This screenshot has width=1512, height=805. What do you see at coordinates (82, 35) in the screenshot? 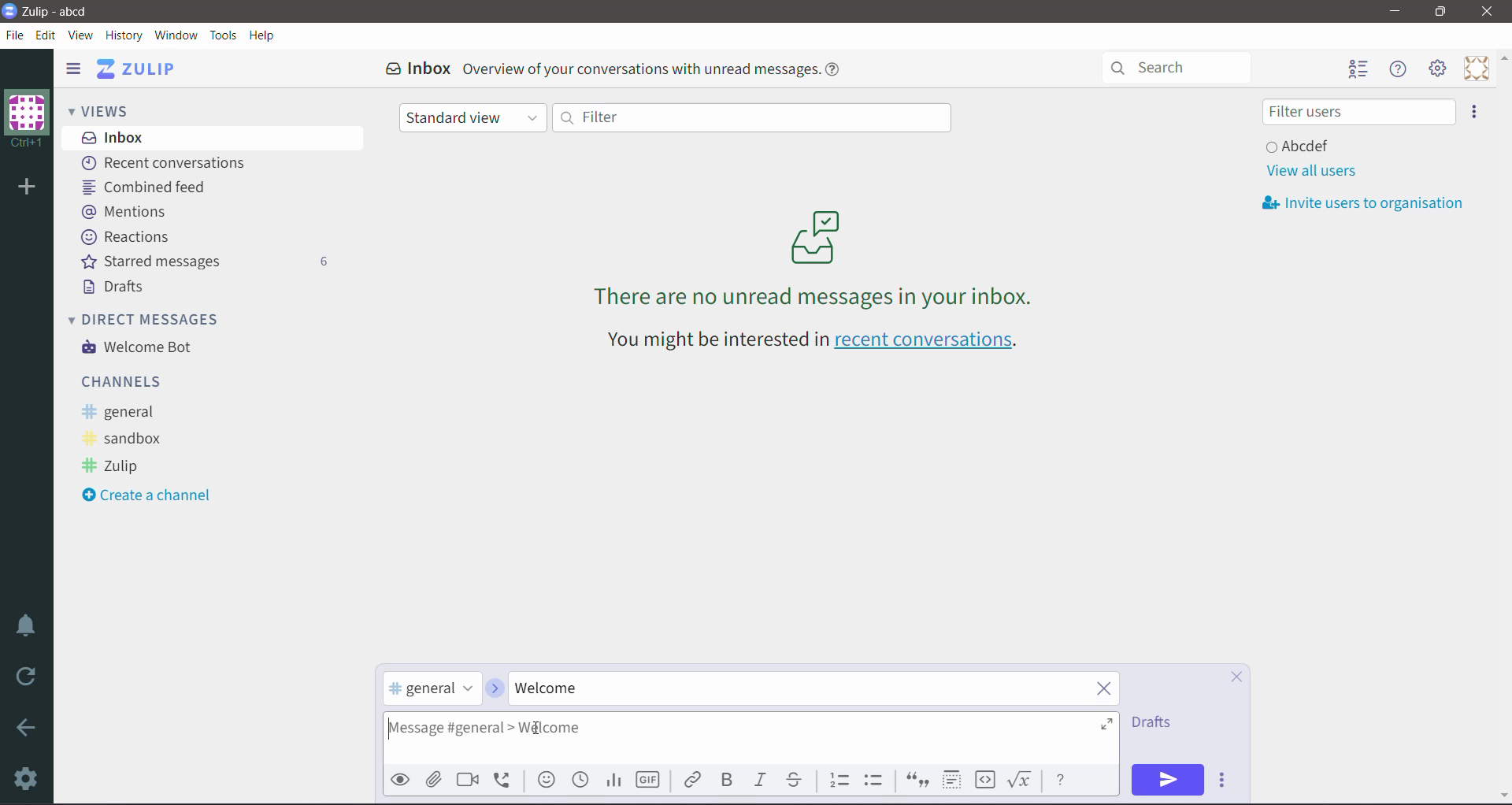
I see `View` at bounding box center [82, 35].